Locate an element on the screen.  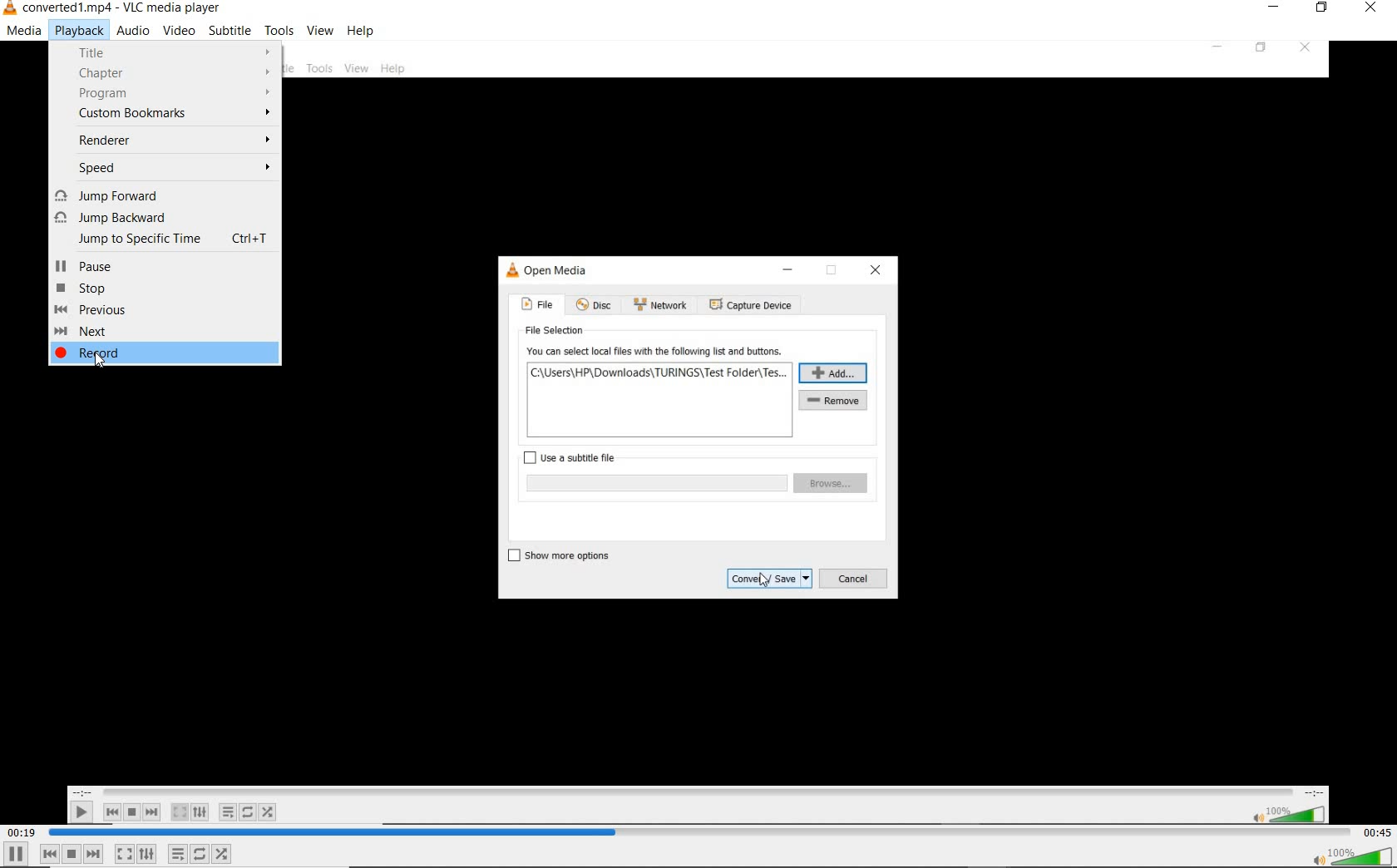
video is located at coordinates (809, 432).